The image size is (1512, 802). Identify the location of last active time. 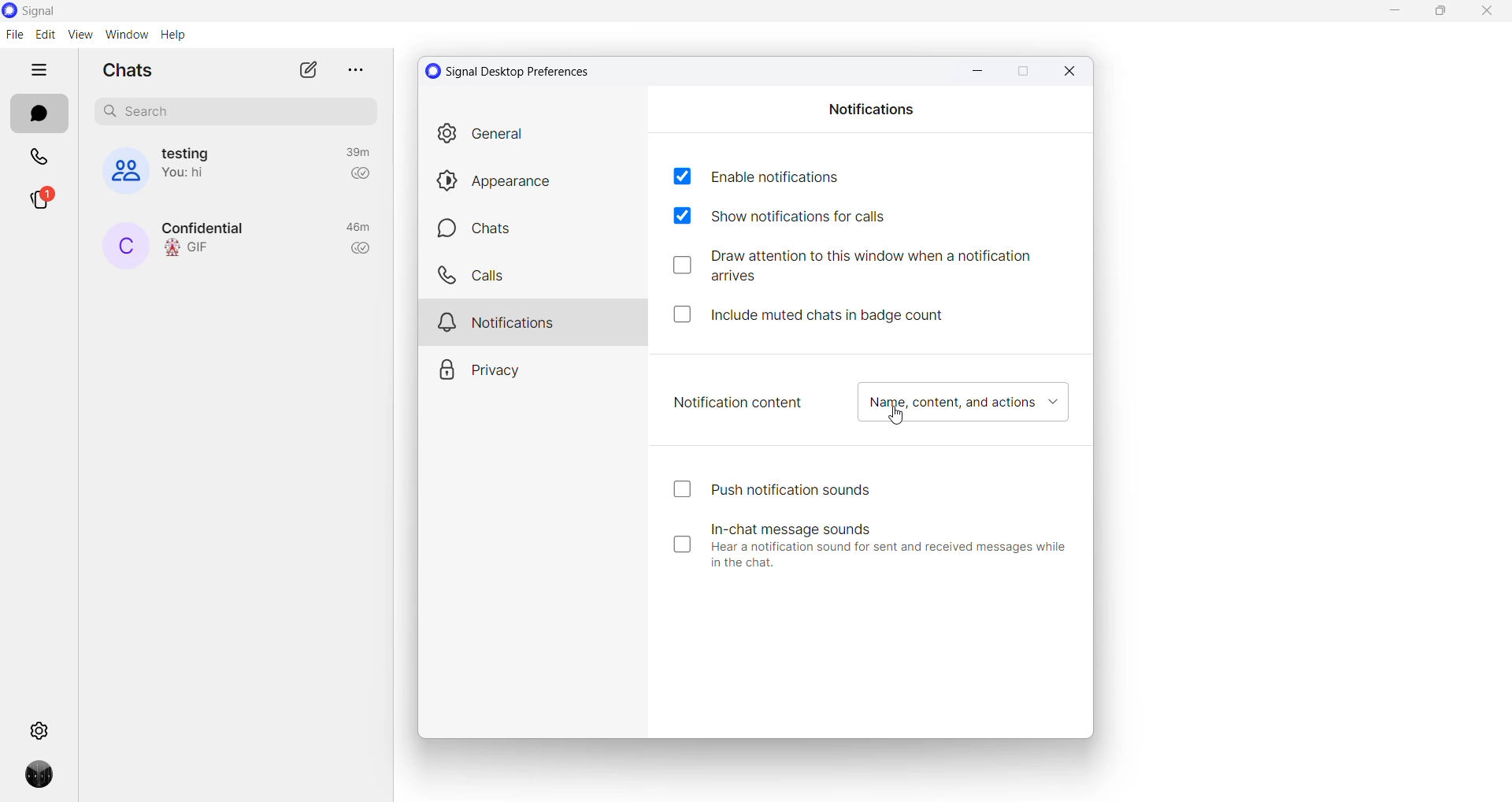
(358, 228).